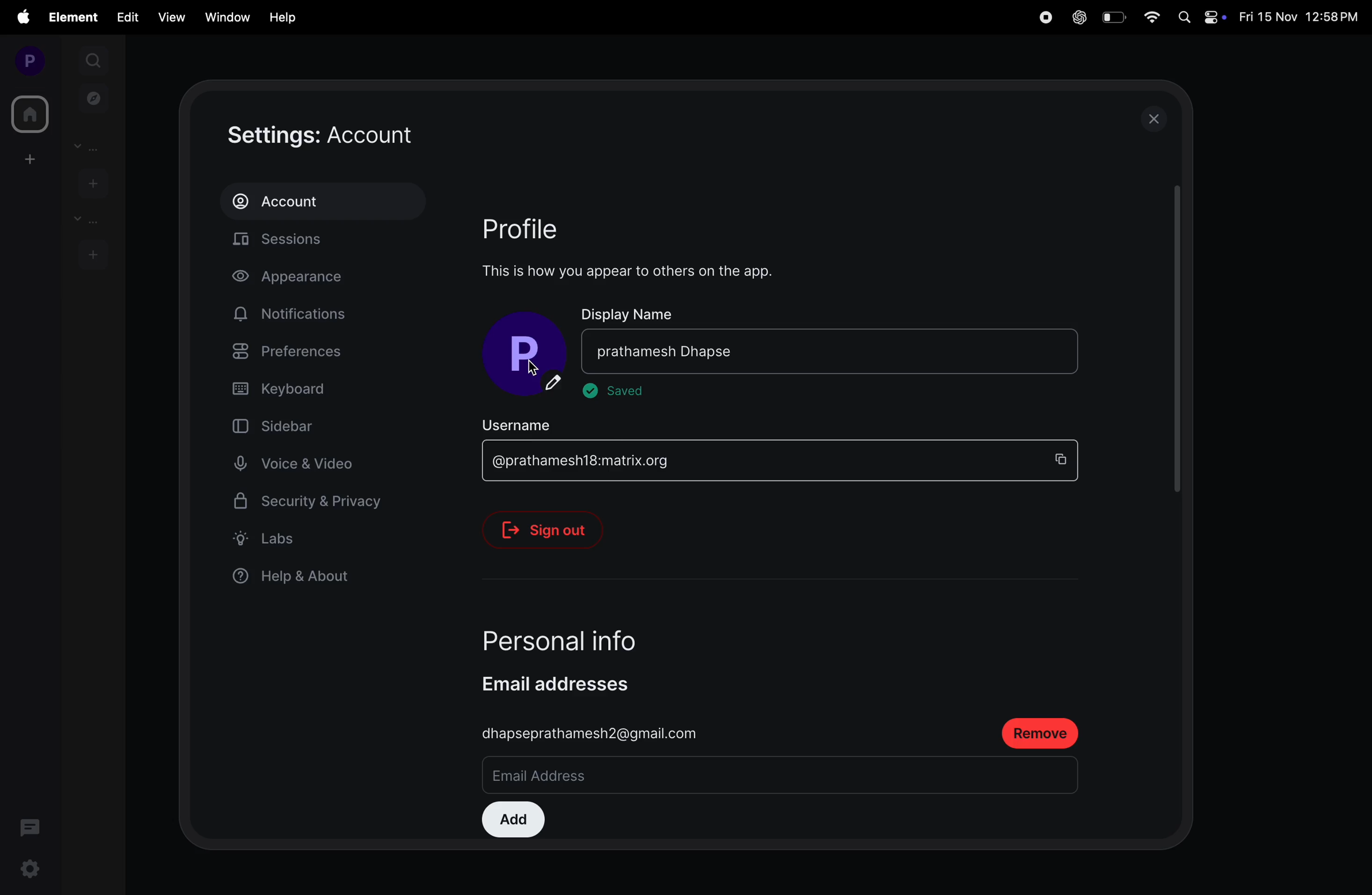 This screenshot has width=1372, height=895. Describe the element at coordinates (360, 136) in the screenshot. I see `settings account` at that location.